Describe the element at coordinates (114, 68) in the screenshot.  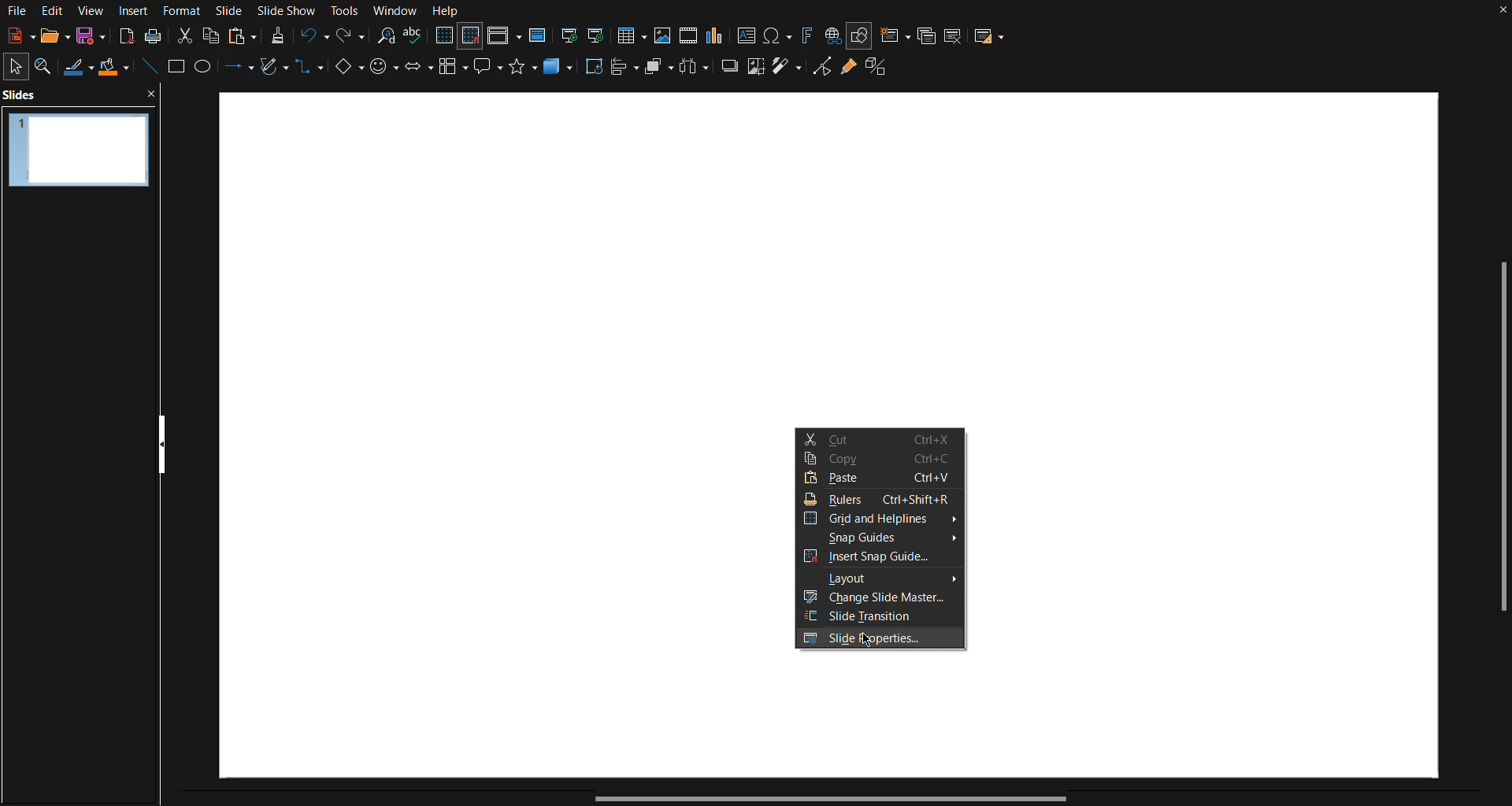
I see `Fill Color` at that location.